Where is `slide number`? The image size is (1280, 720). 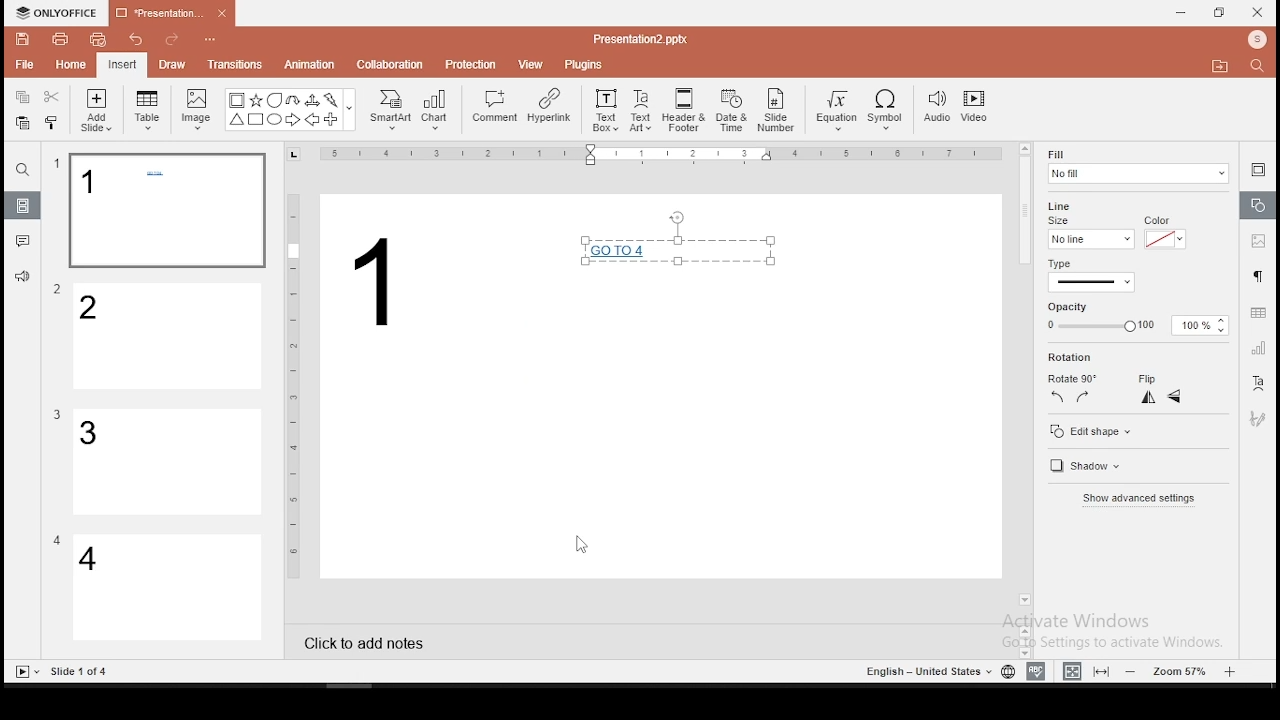
slide number is located at coordinates (777, 110).